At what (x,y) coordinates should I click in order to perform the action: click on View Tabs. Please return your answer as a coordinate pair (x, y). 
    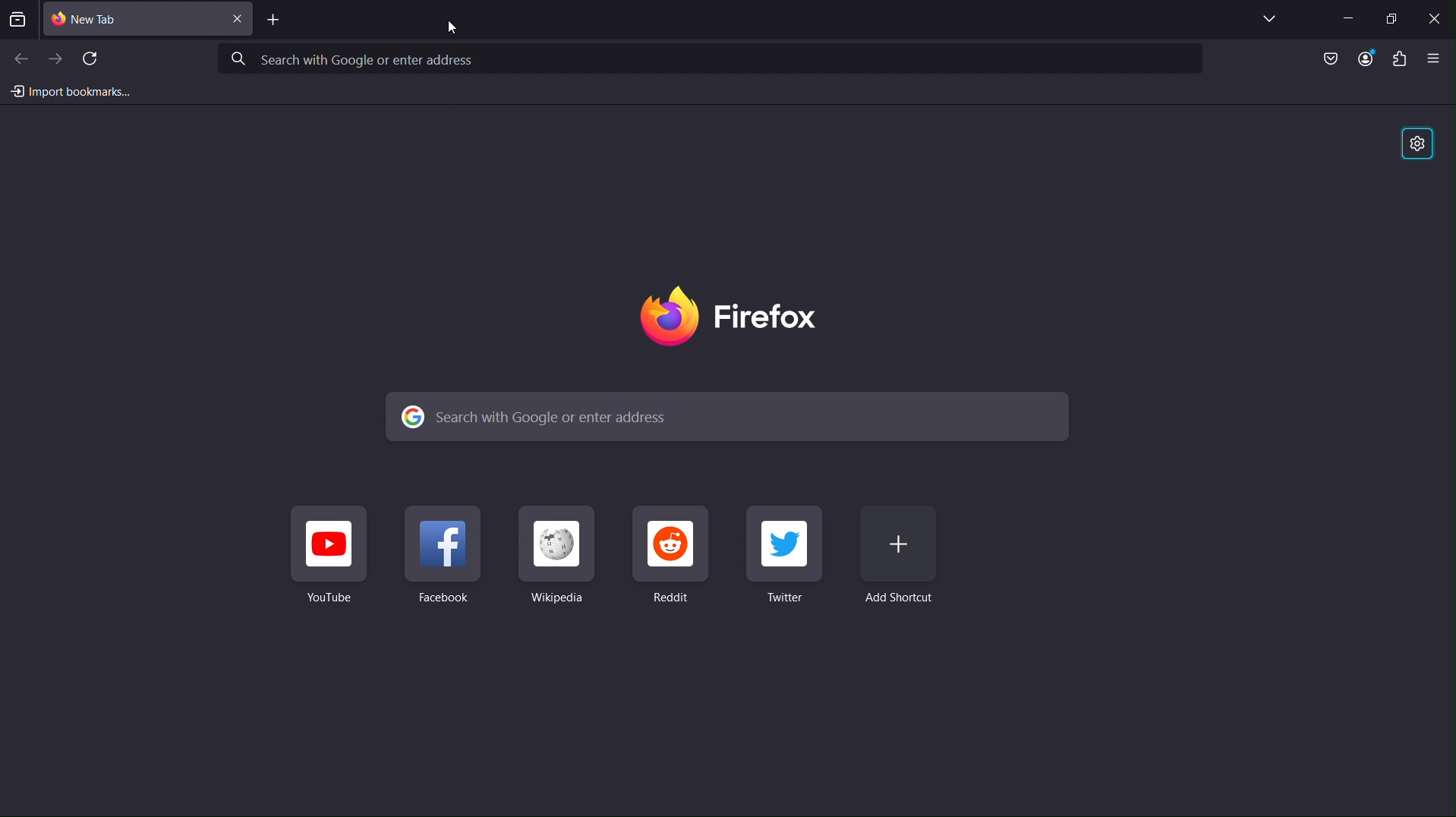
    Looking at the image, I should click on (1269, 18).